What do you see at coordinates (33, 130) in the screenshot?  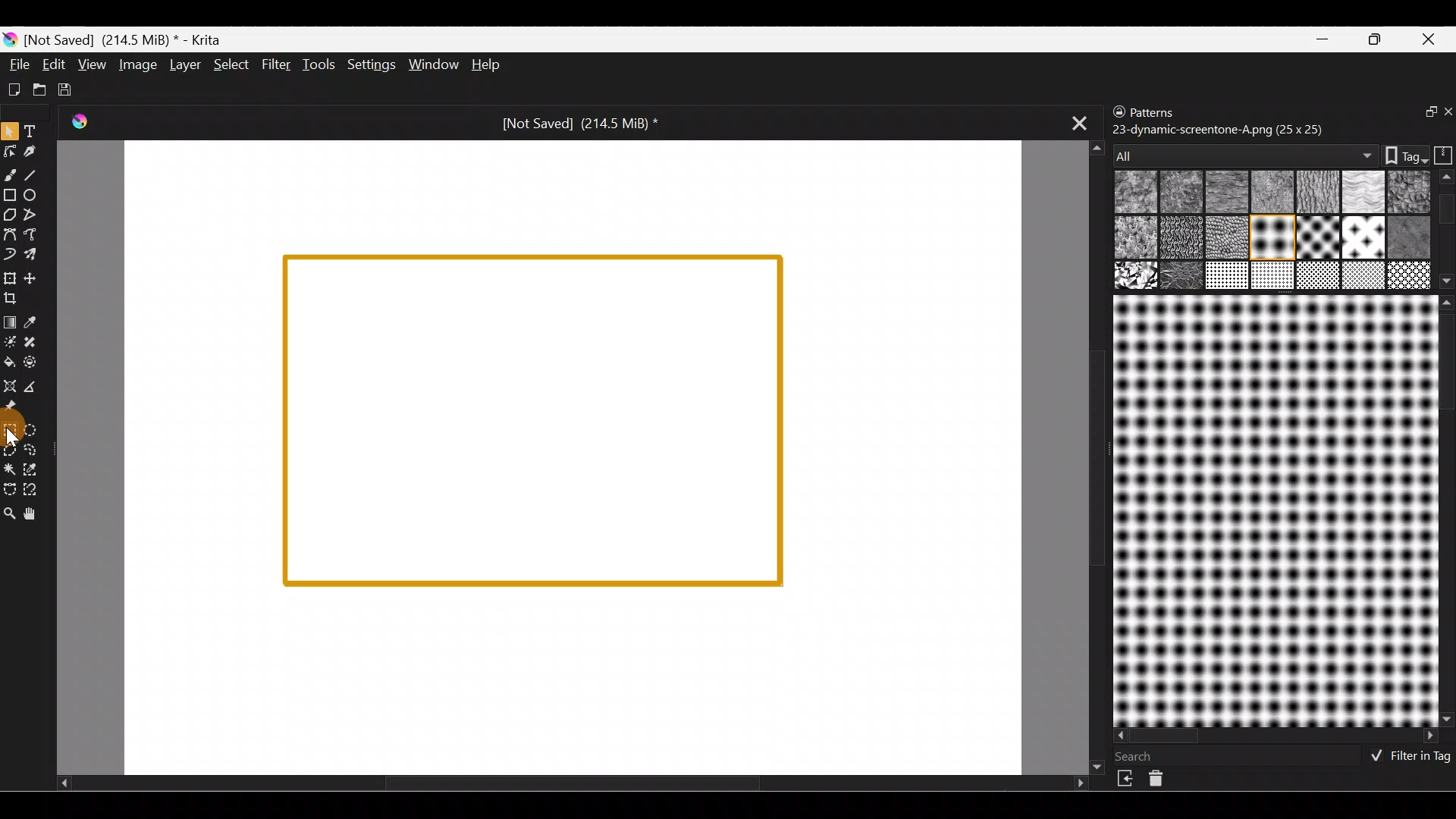 I see `Text tool` at bounding box center [33, 130].